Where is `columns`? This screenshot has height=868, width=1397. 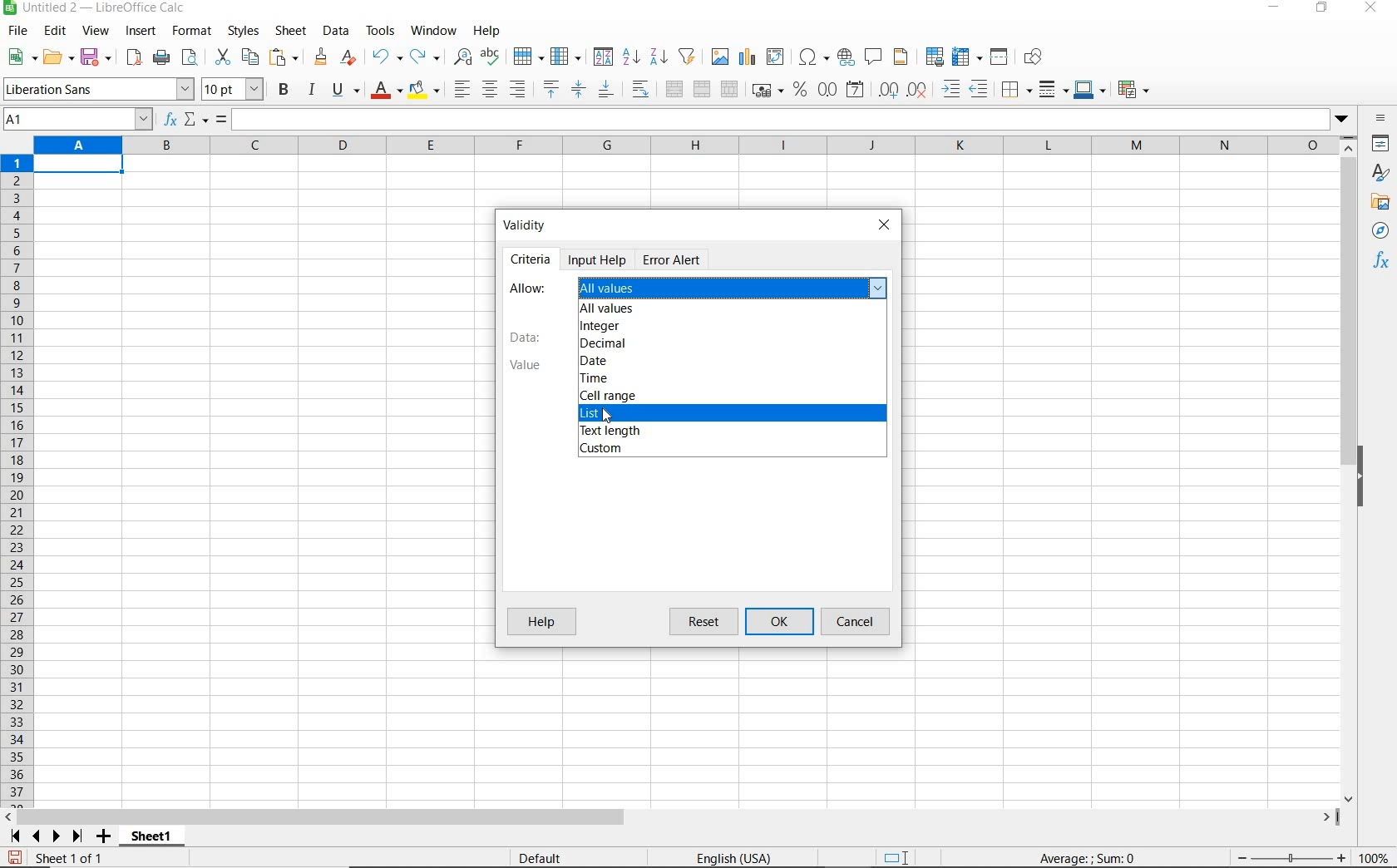 columns is located at coordinates (684, 146).